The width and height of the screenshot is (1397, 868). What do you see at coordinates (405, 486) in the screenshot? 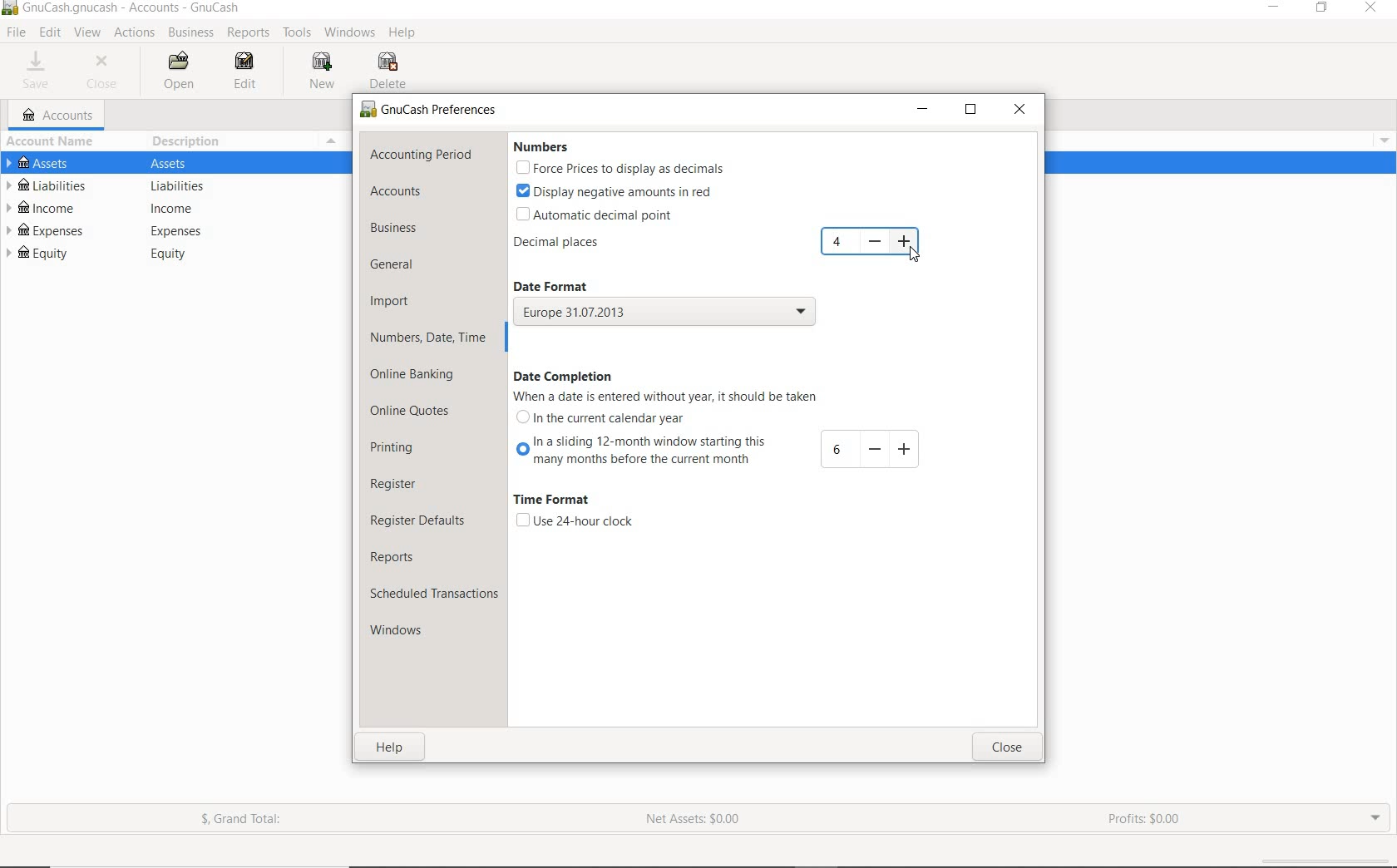
I see `register` at bounding box center [405, 486].